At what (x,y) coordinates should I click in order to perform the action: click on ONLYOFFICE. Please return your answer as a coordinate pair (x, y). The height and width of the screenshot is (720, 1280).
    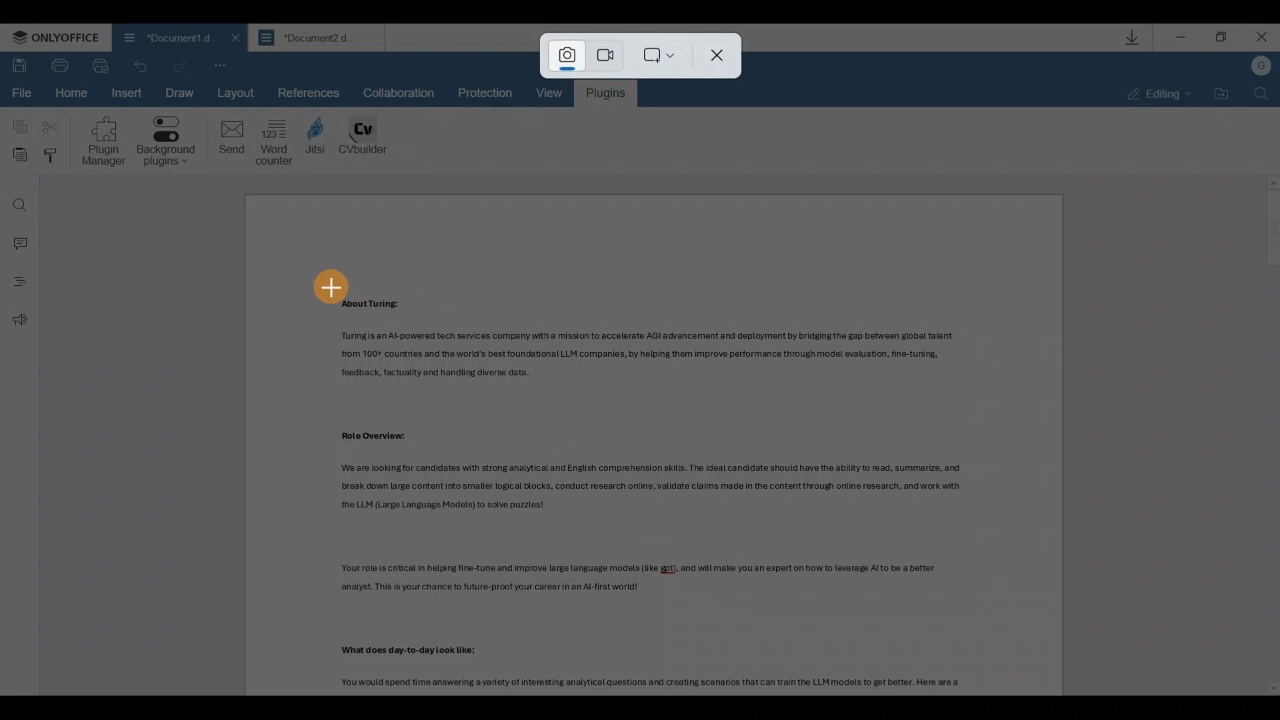
    Looking at the image, I should click on (58, 39).